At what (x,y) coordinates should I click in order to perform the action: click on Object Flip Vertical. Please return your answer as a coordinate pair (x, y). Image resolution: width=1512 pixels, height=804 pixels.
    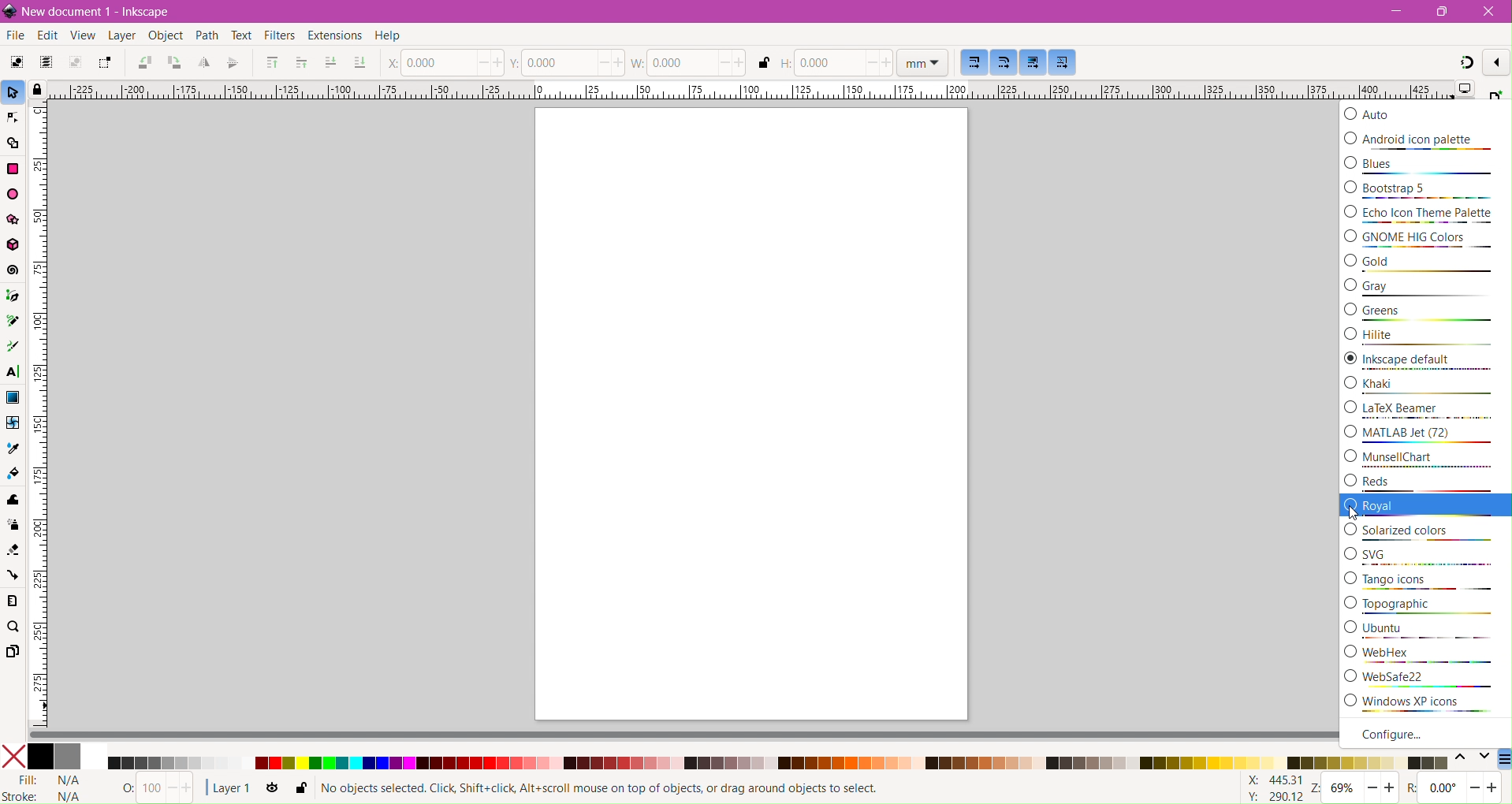
    Looking at the image, I should click on (233, 63).